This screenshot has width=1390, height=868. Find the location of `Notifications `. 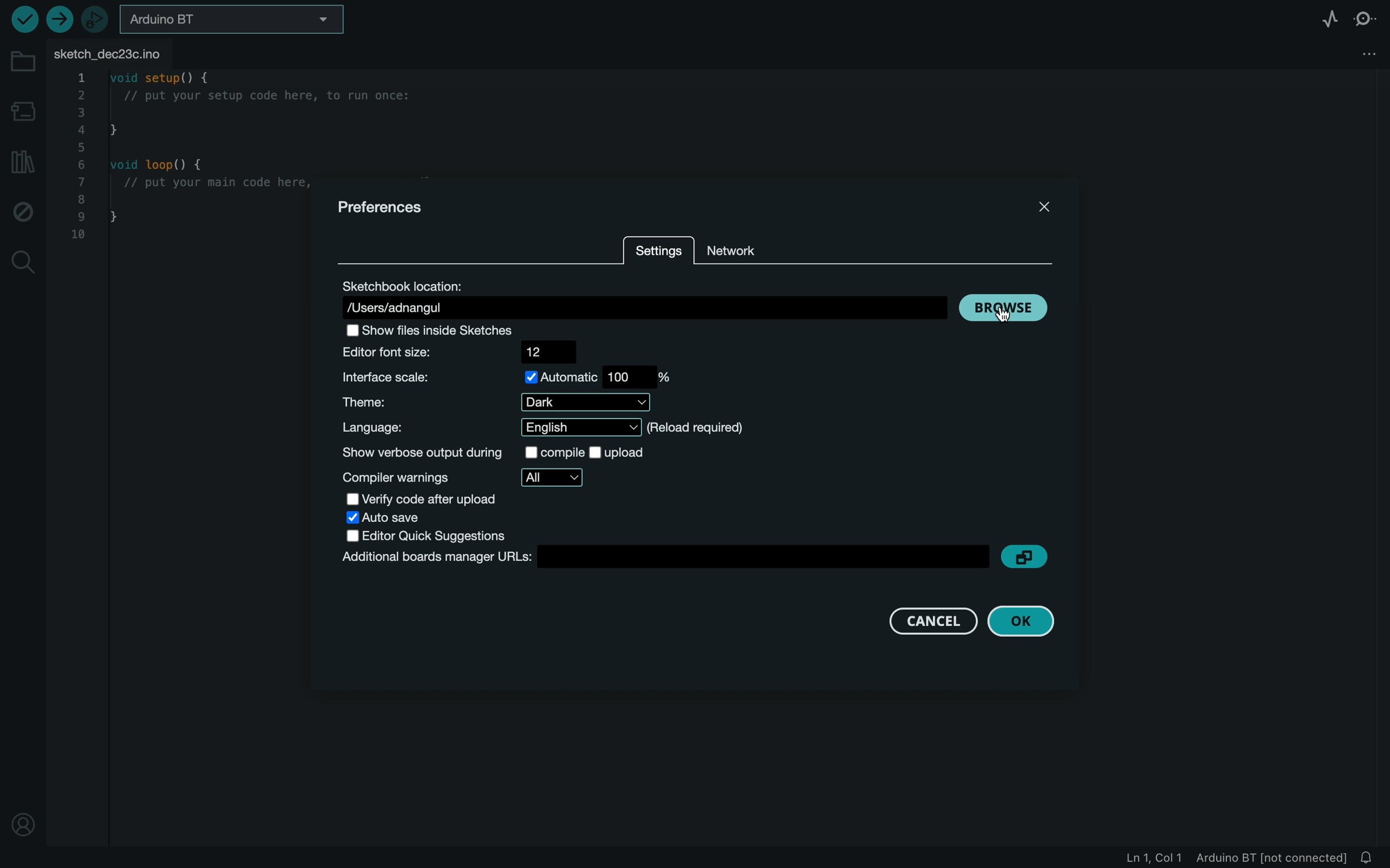

Notifications  is located at coordinates (1370, 854).